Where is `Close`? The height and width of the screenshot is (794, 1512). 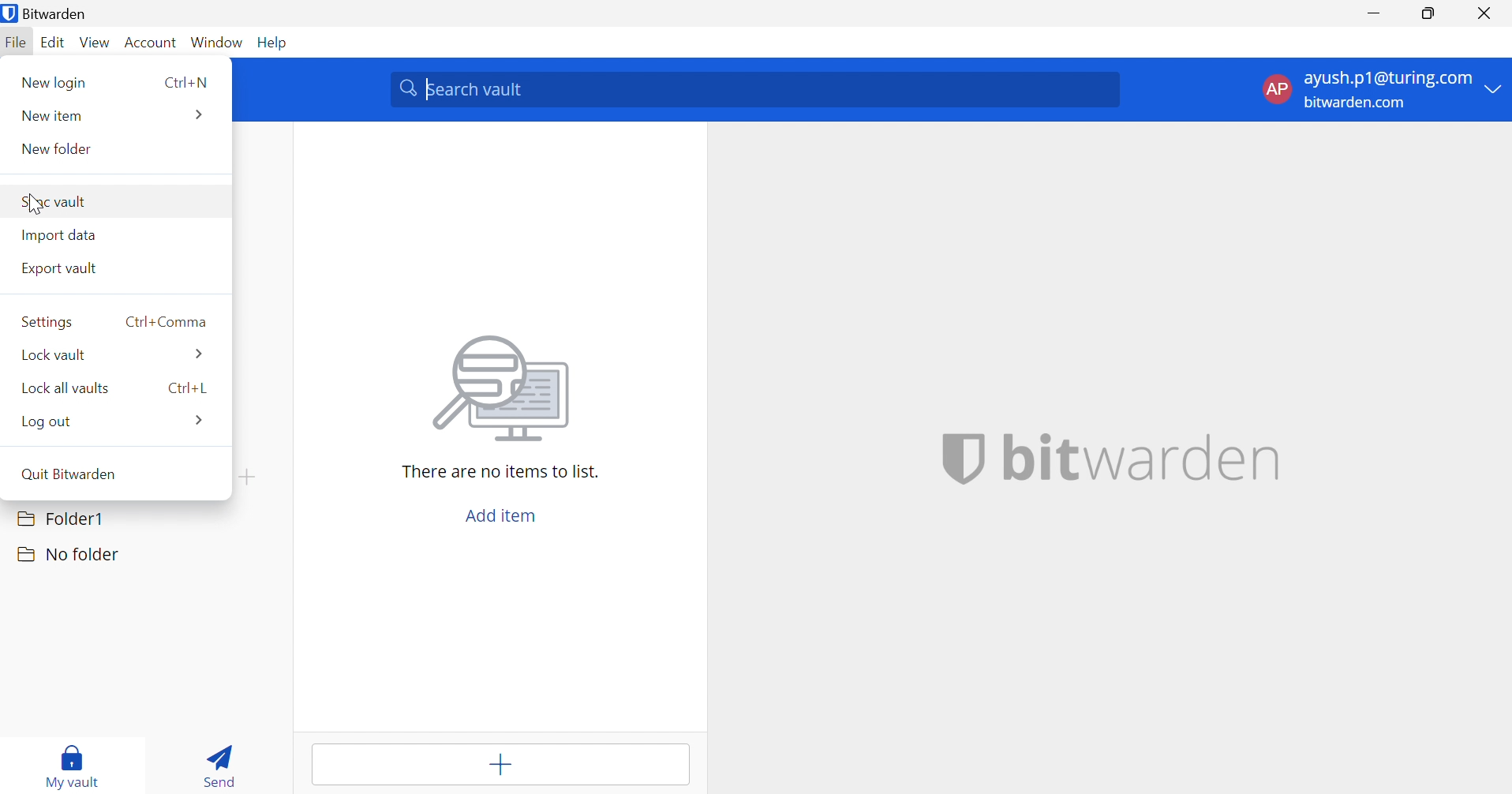 Close is located at coordinates (1486, 13).